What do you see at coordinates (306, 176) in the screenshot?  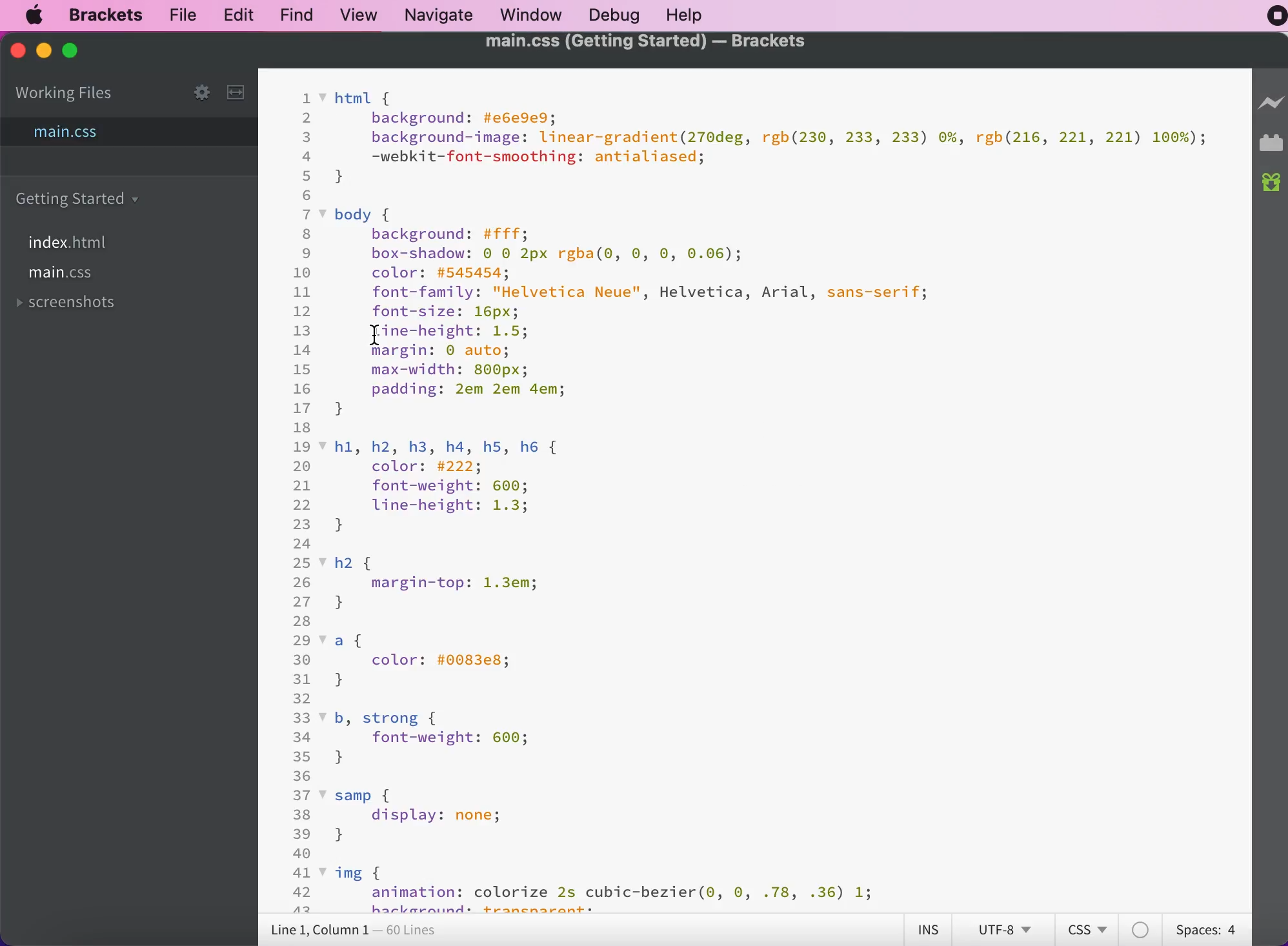 I see `5` at bounding box center [306, 176].